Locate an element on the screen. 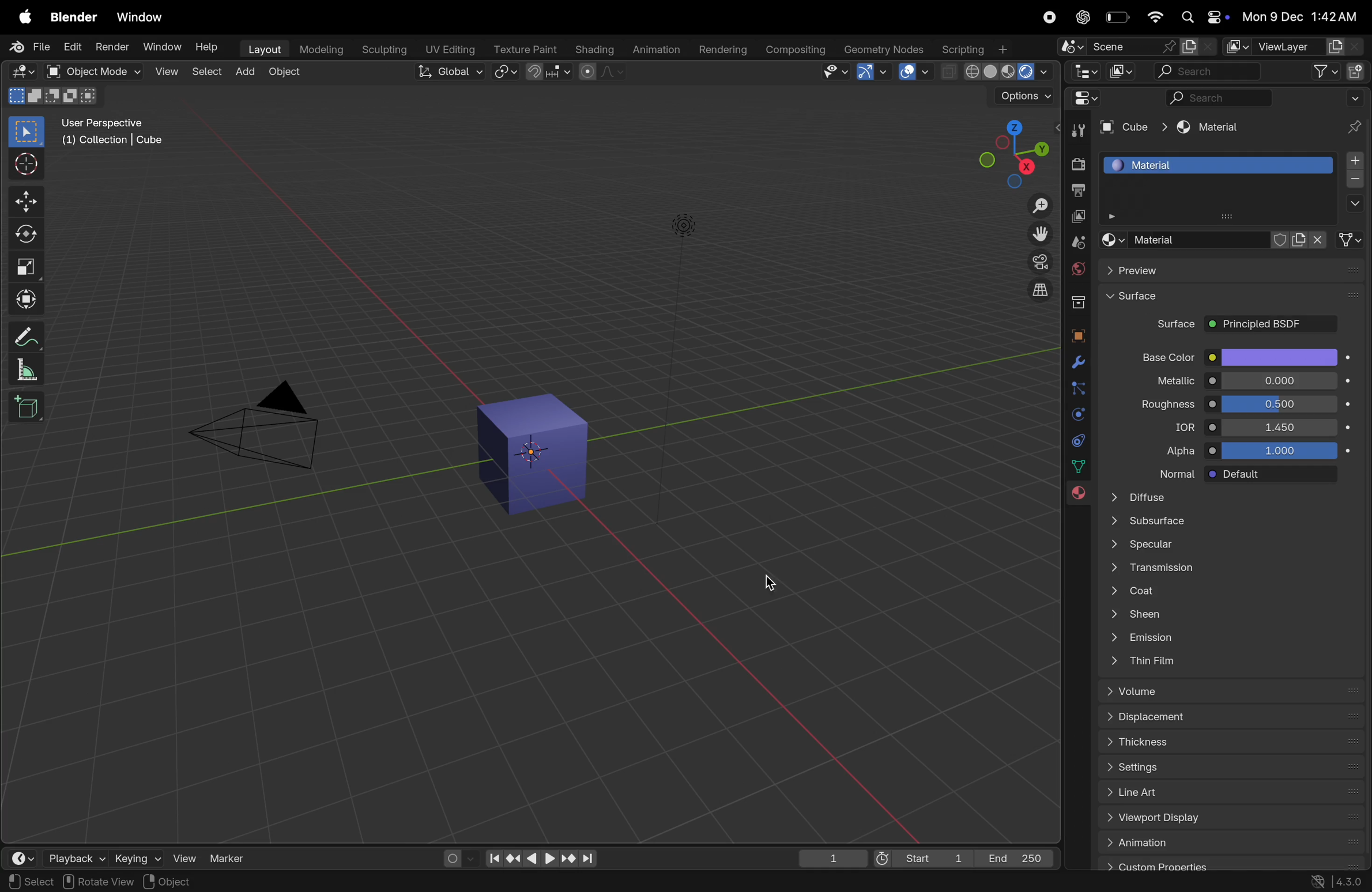 The width and height of the screenshot is (1372, 892). material is located at coordinates (1206, 128).